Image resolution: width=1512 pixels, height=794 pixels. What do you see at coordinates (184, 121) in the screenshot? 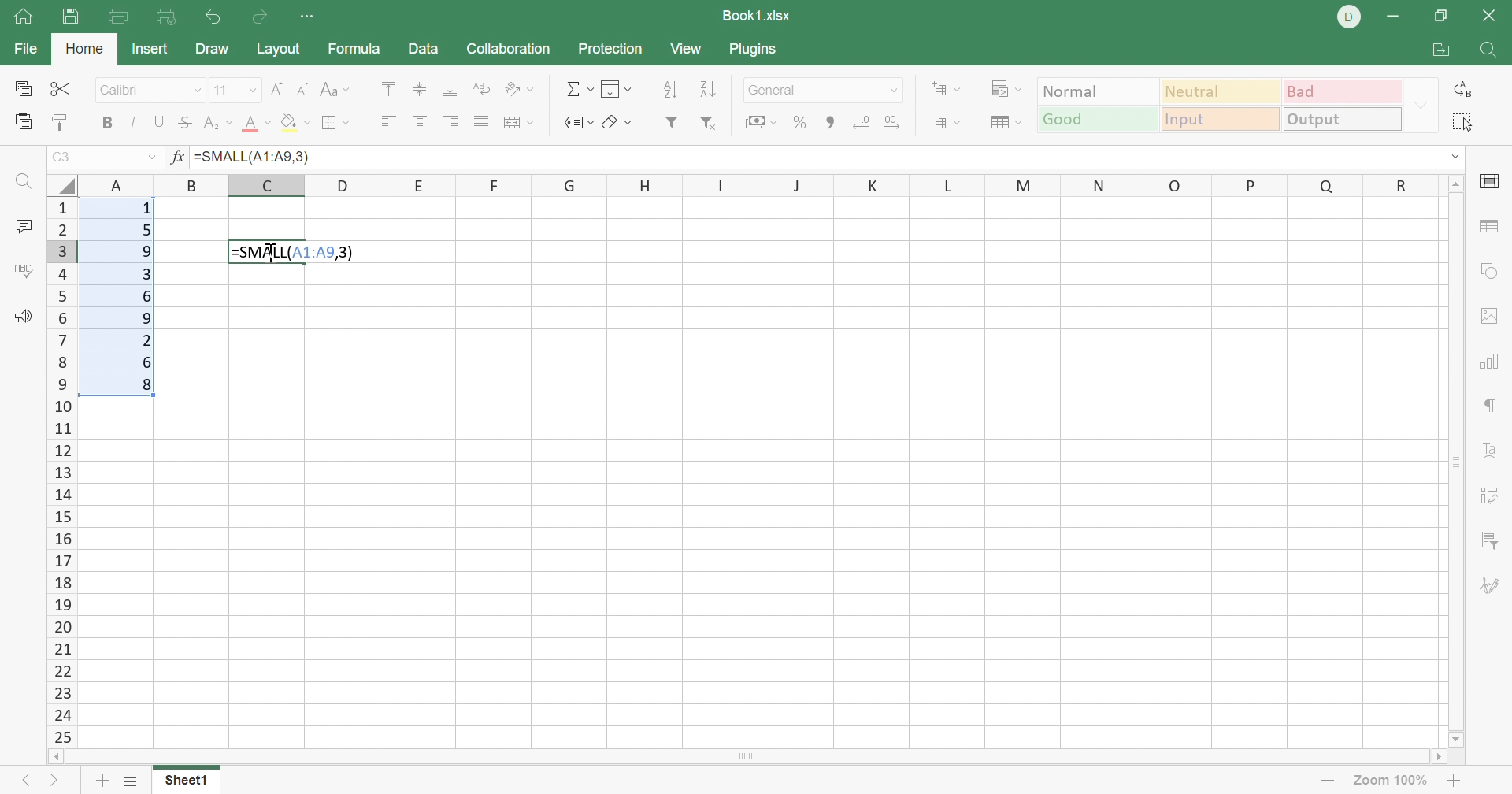
I see `Strikethrough` at bounding box center [184, 121].